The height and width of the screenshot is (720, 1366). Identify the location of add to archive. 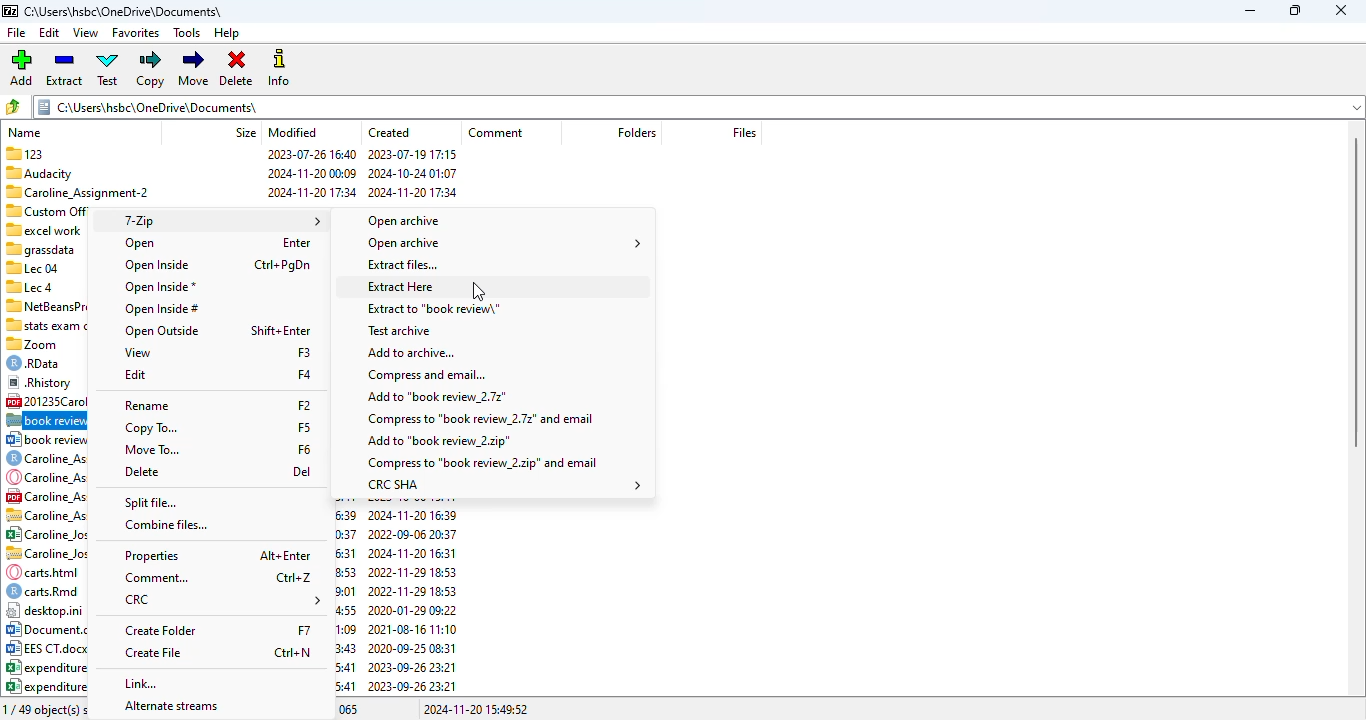
(411, 352).